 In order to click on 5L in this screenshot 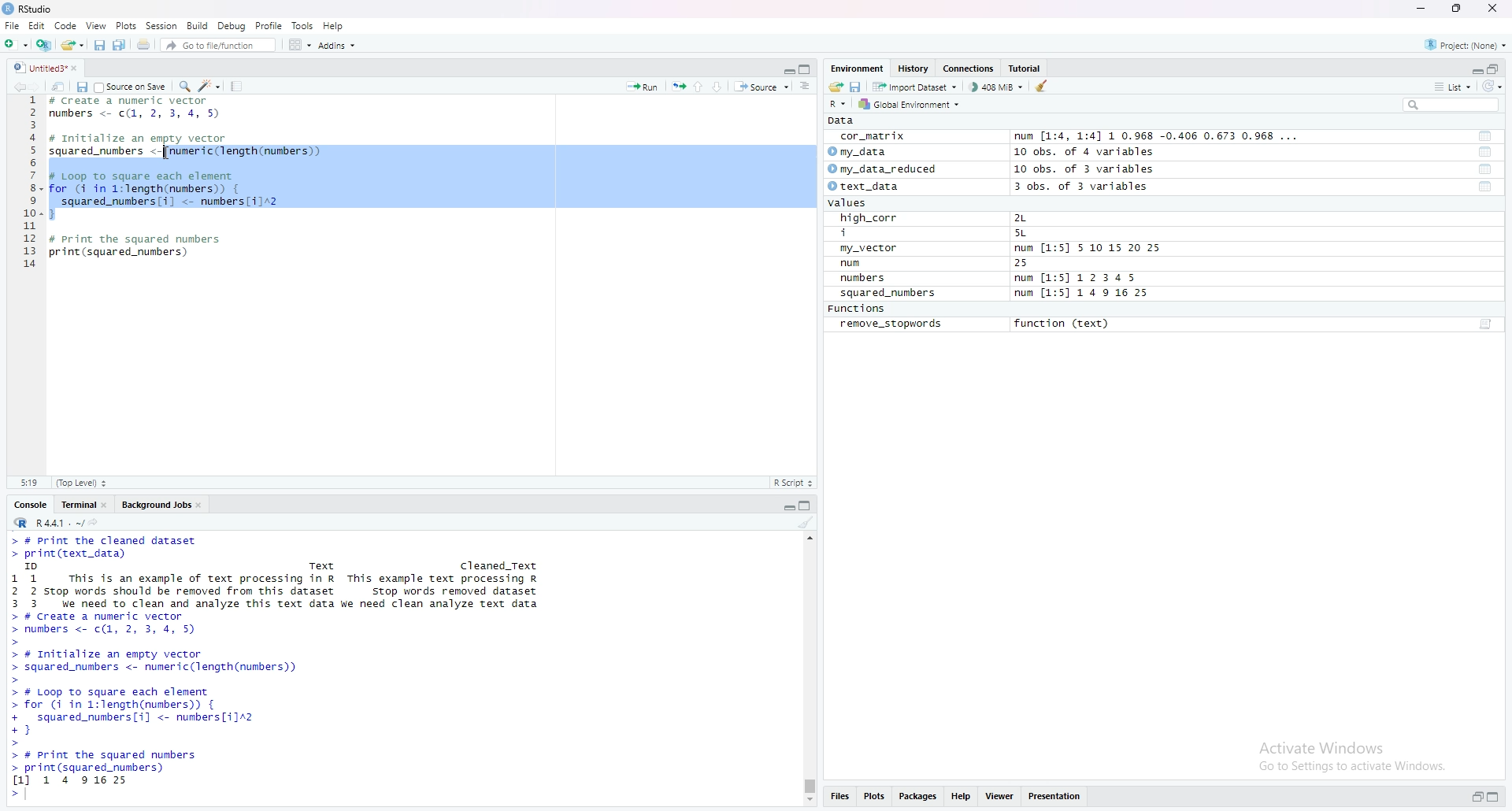, I will do `click(1024, 234)`.